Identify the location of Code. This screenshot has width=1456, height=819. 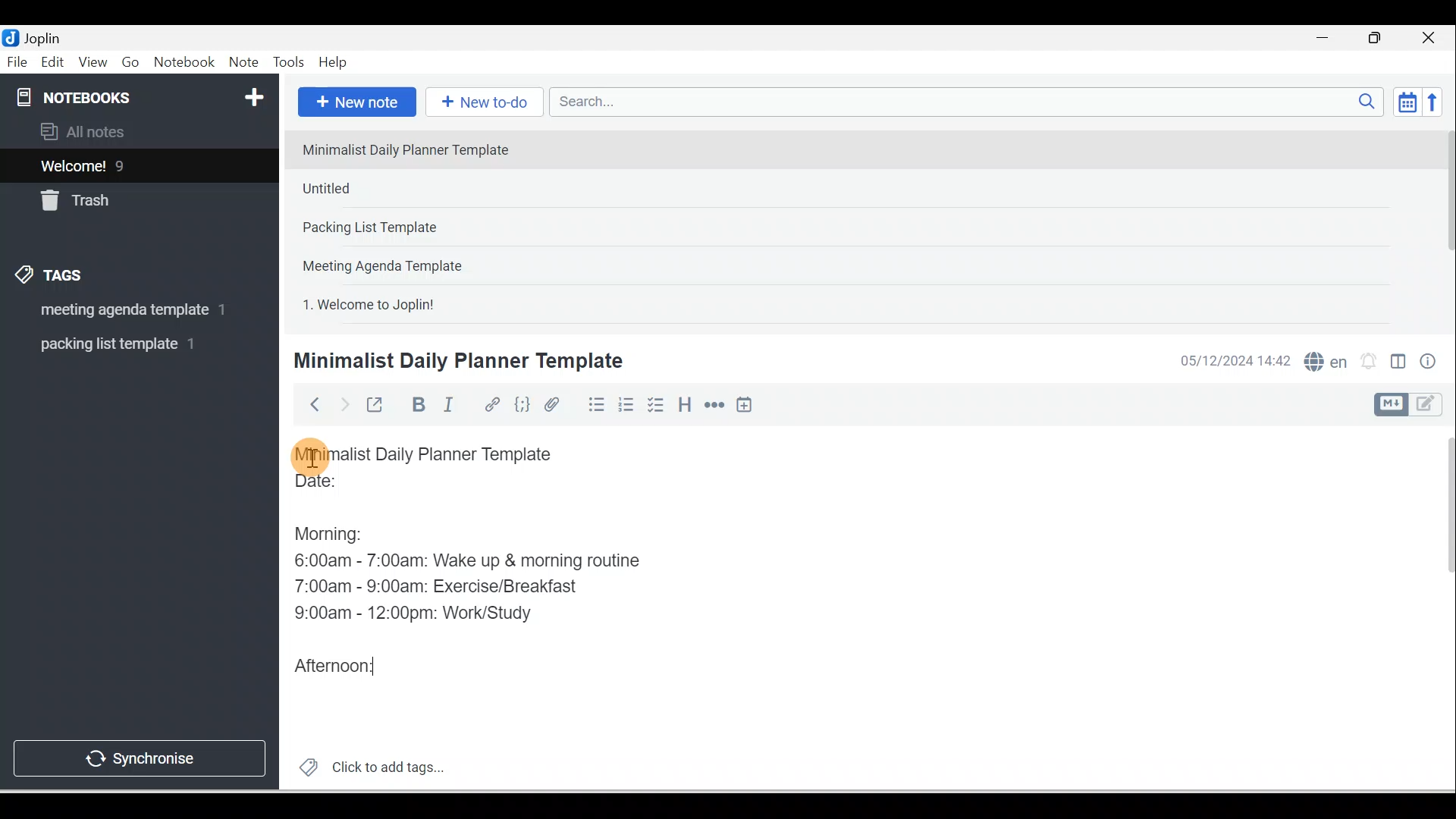
(522, 406).